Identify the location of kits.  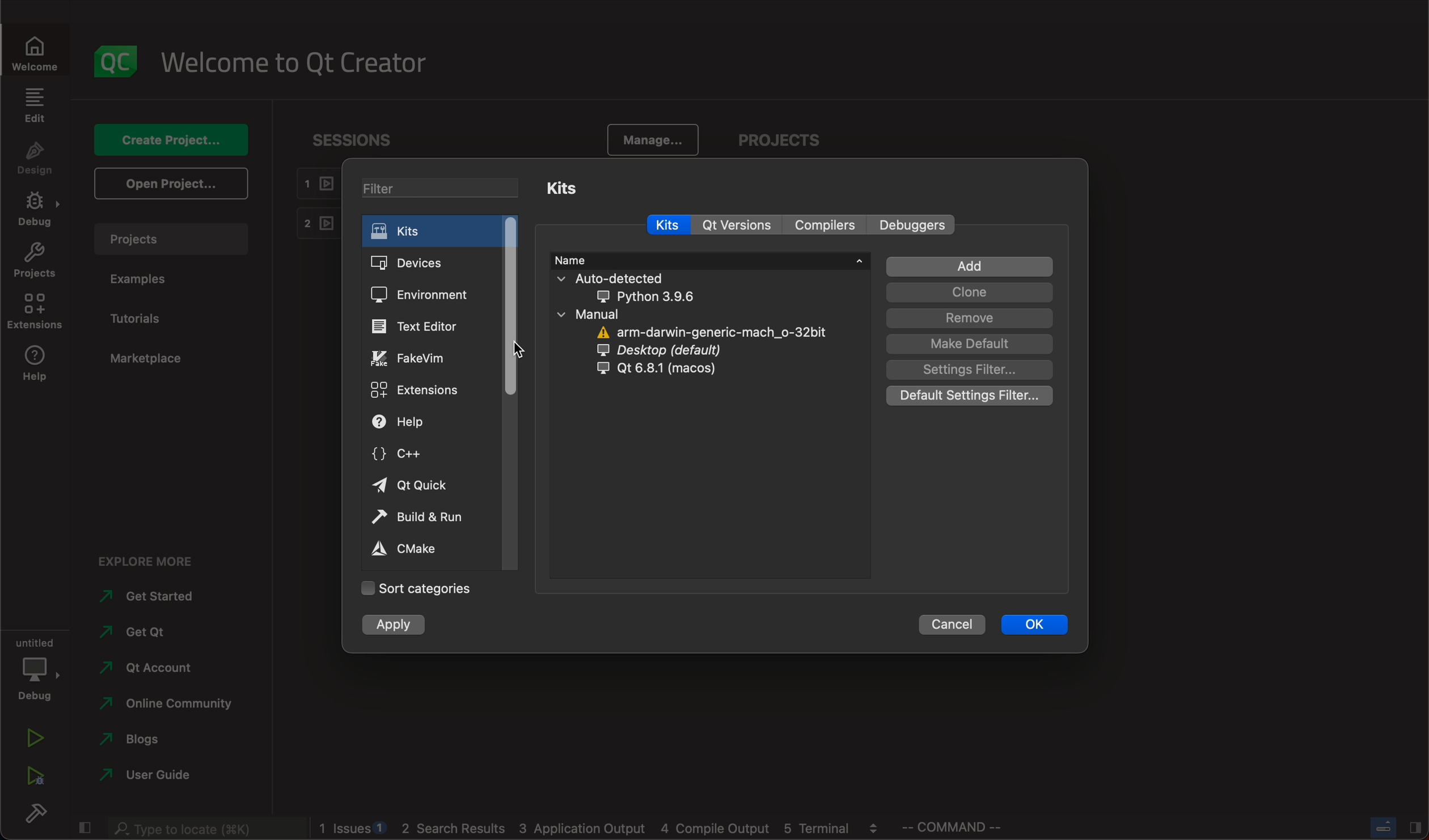
(428, 230).